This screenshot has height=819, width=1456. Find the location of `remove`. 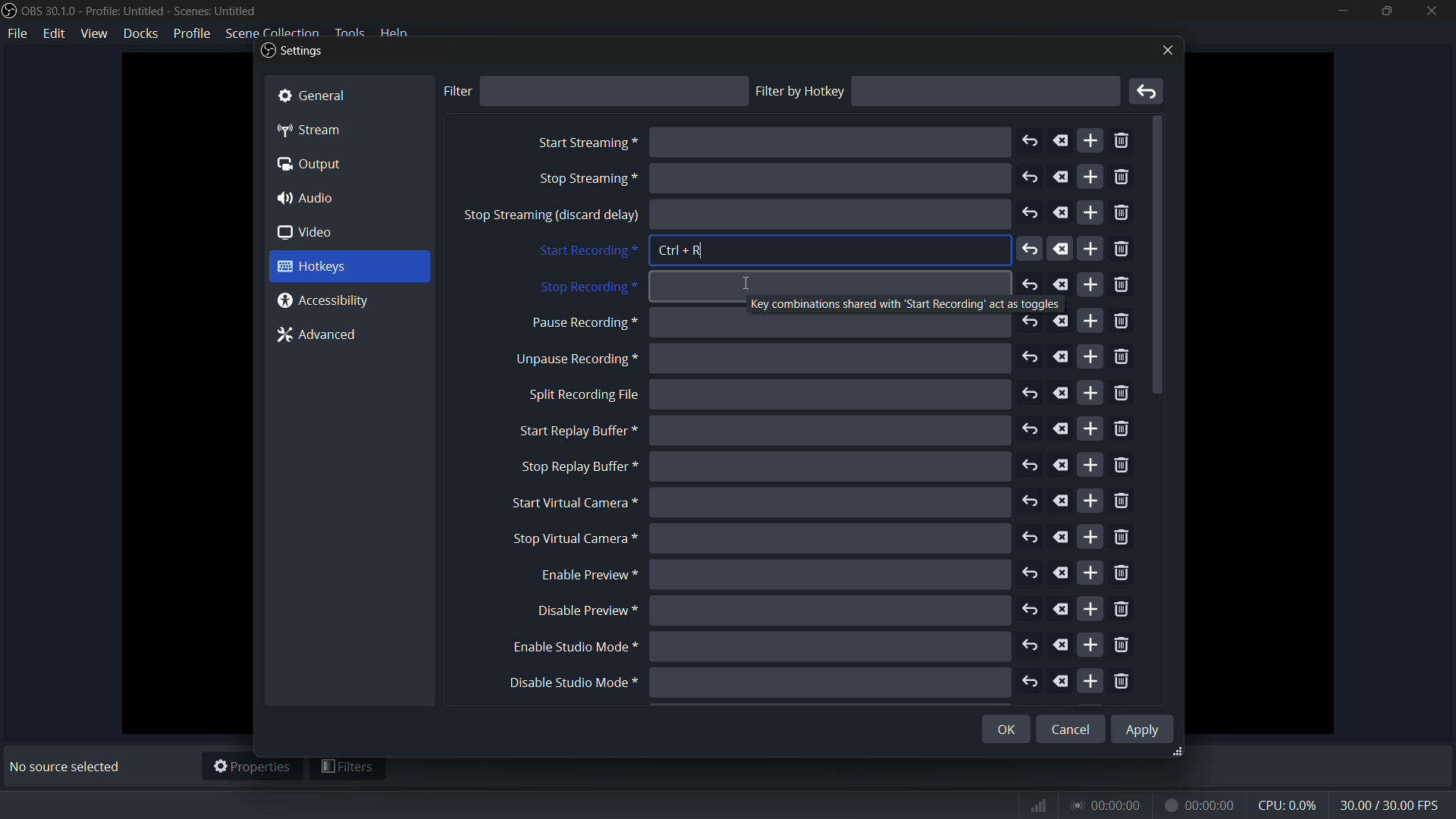

remove is located at coordinates (1125, 142).